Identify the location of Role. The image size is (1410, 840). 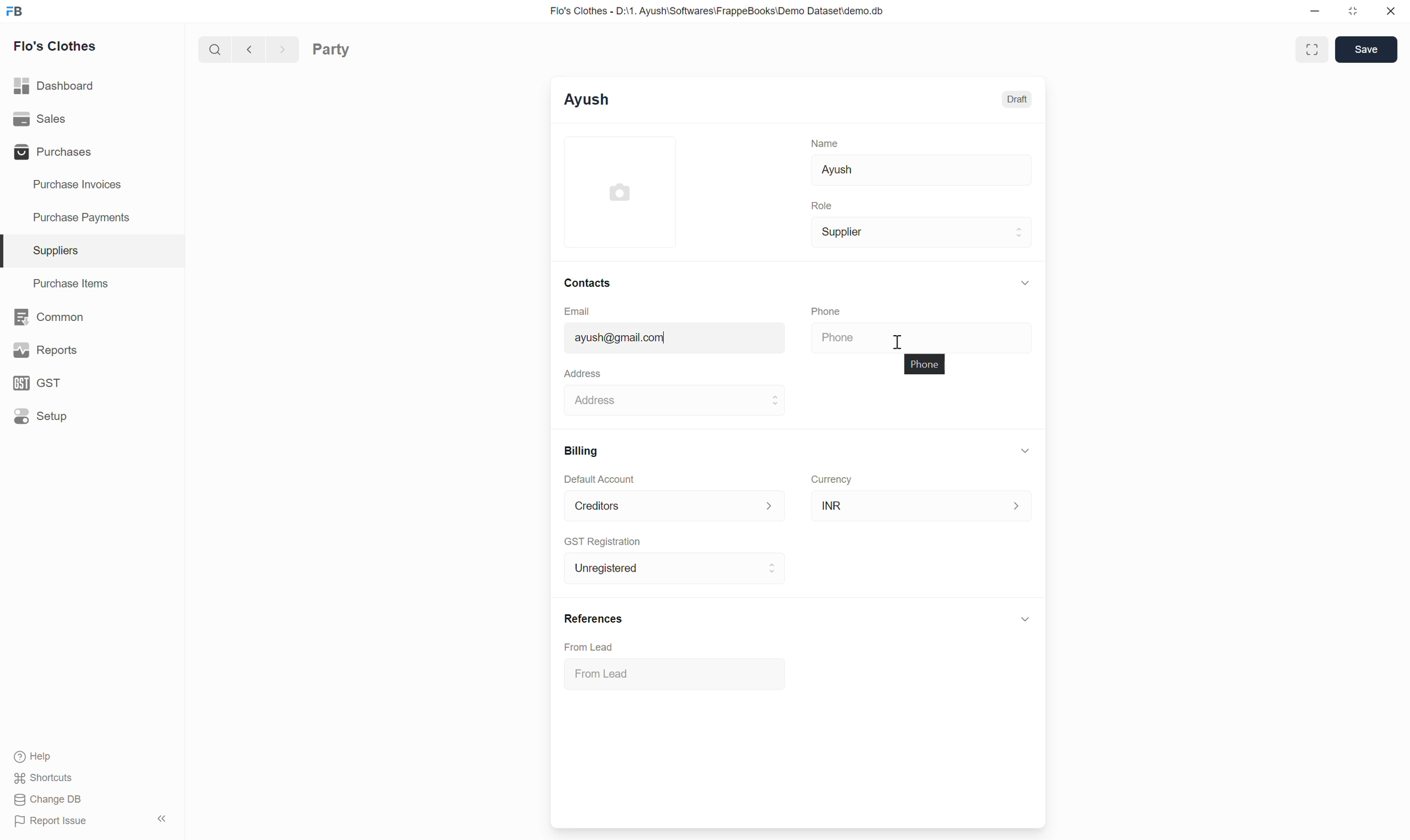
(822, 205).